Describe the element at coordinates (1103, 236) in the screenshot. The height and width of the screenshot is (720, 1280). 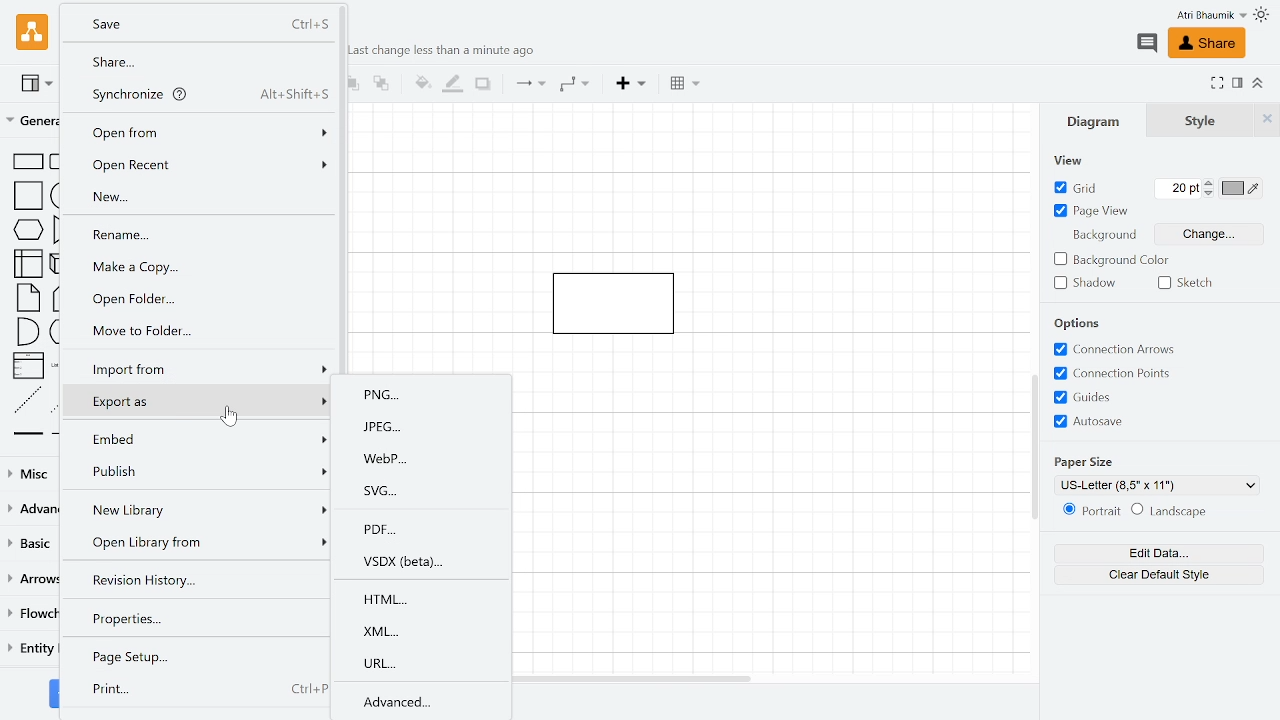
I see `Background` at that location.